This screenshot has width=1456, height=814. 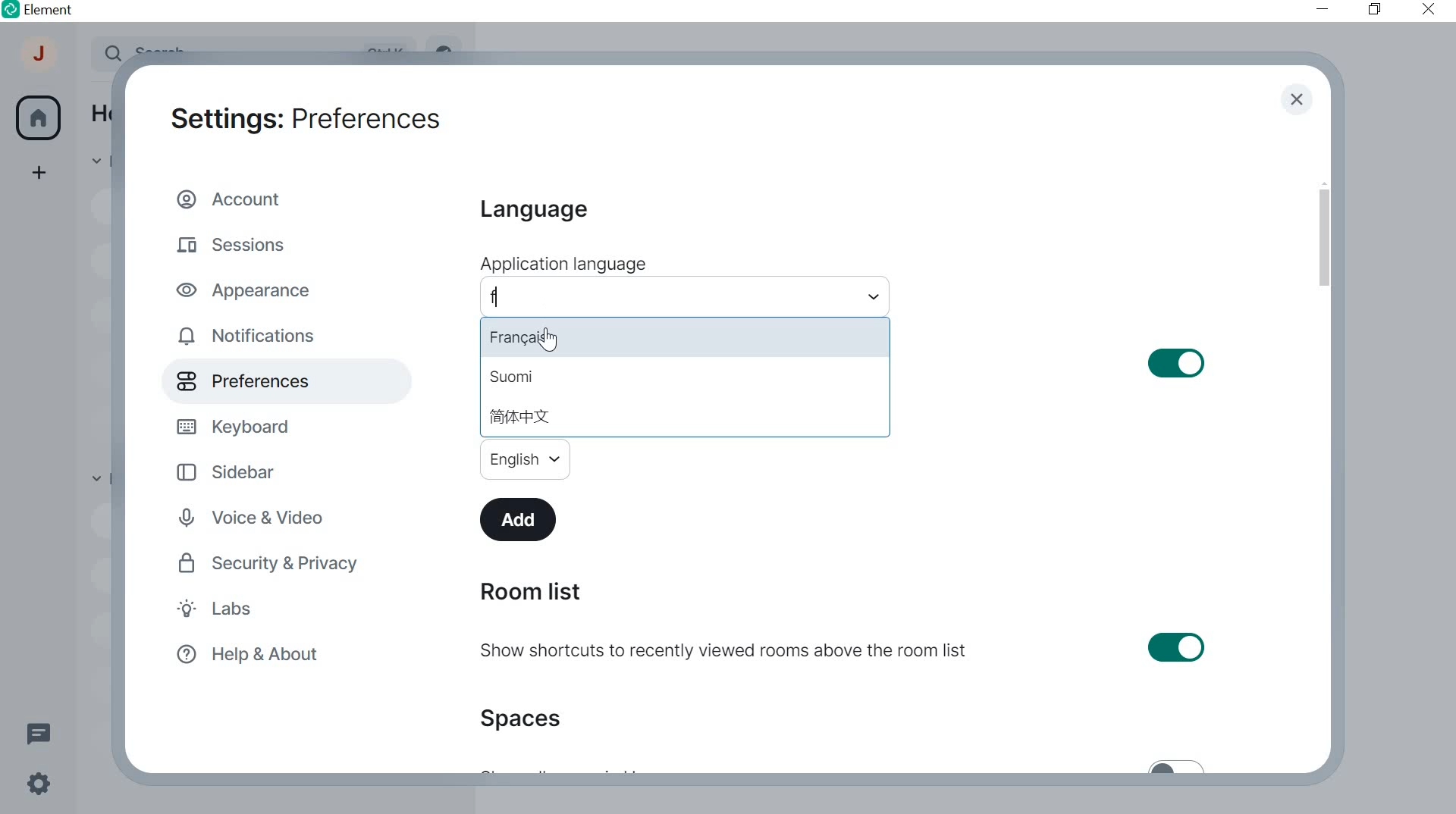 I want to click on SECURITY & PRIVACY, so click(x=271, y=563).